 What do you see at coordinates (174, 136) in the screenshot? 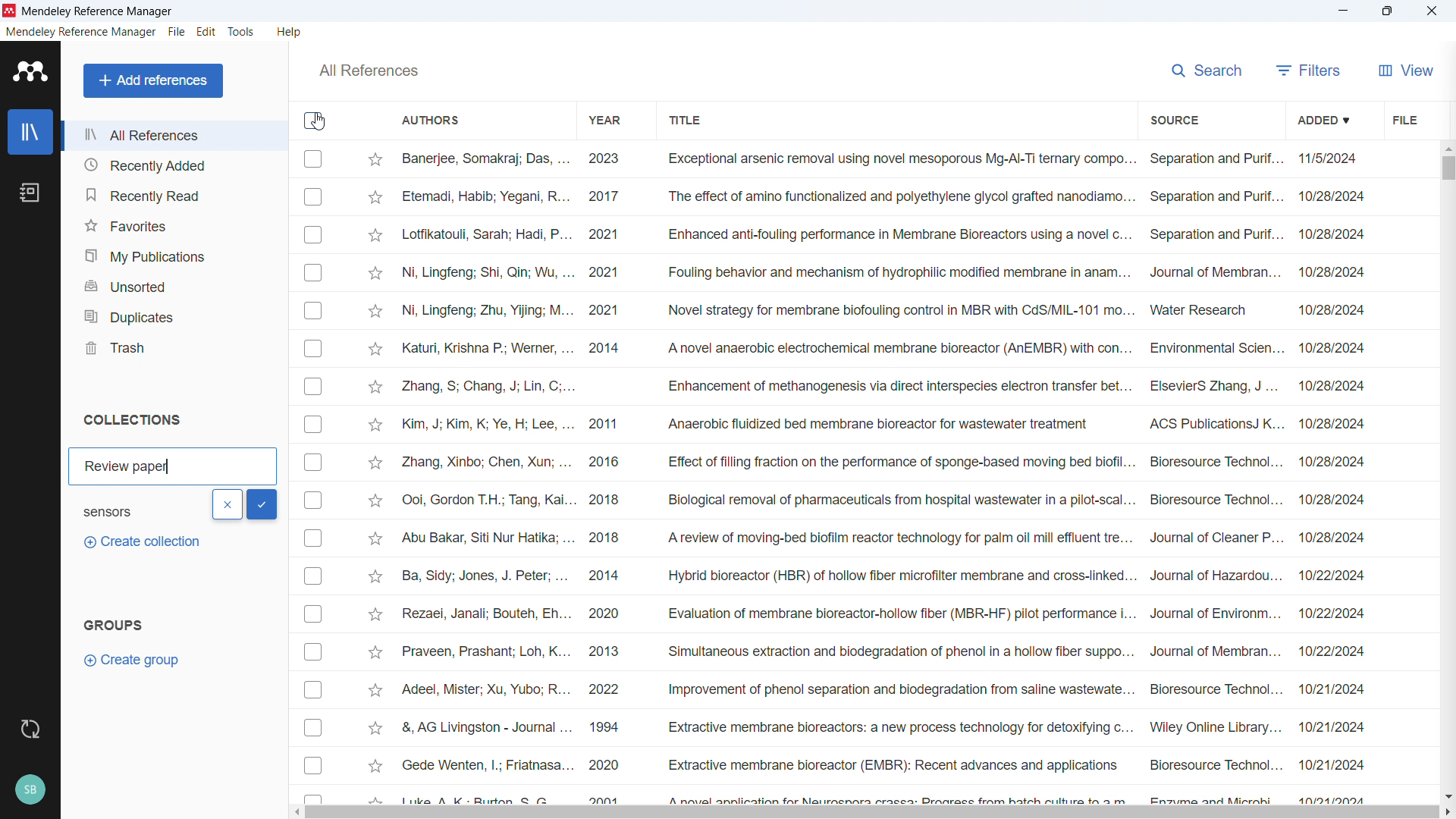
I see `All references ` at bounding box center [174, 136].